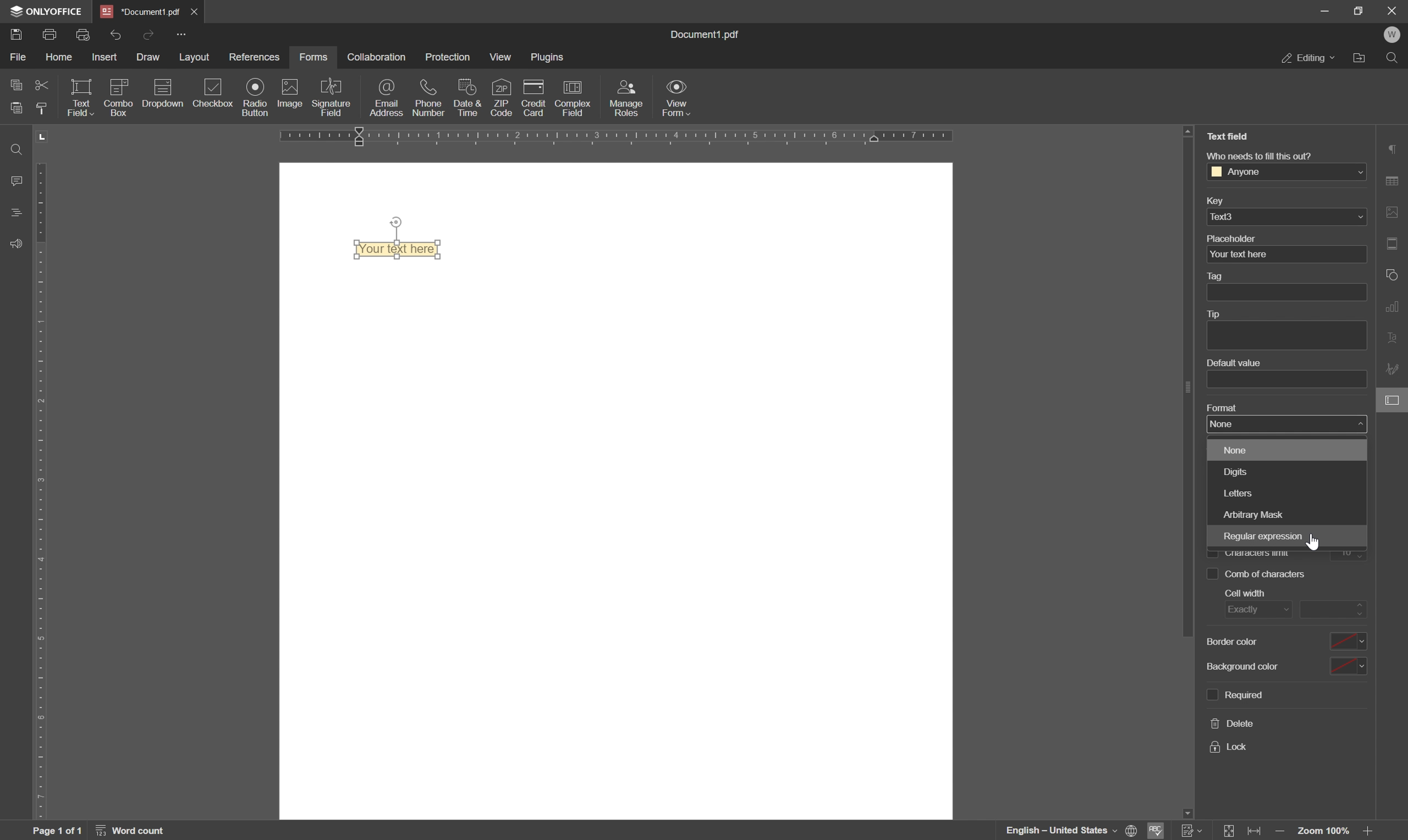  Describe the element at coordinates (115, 34) in the screenshot. I see `undo` at that location.